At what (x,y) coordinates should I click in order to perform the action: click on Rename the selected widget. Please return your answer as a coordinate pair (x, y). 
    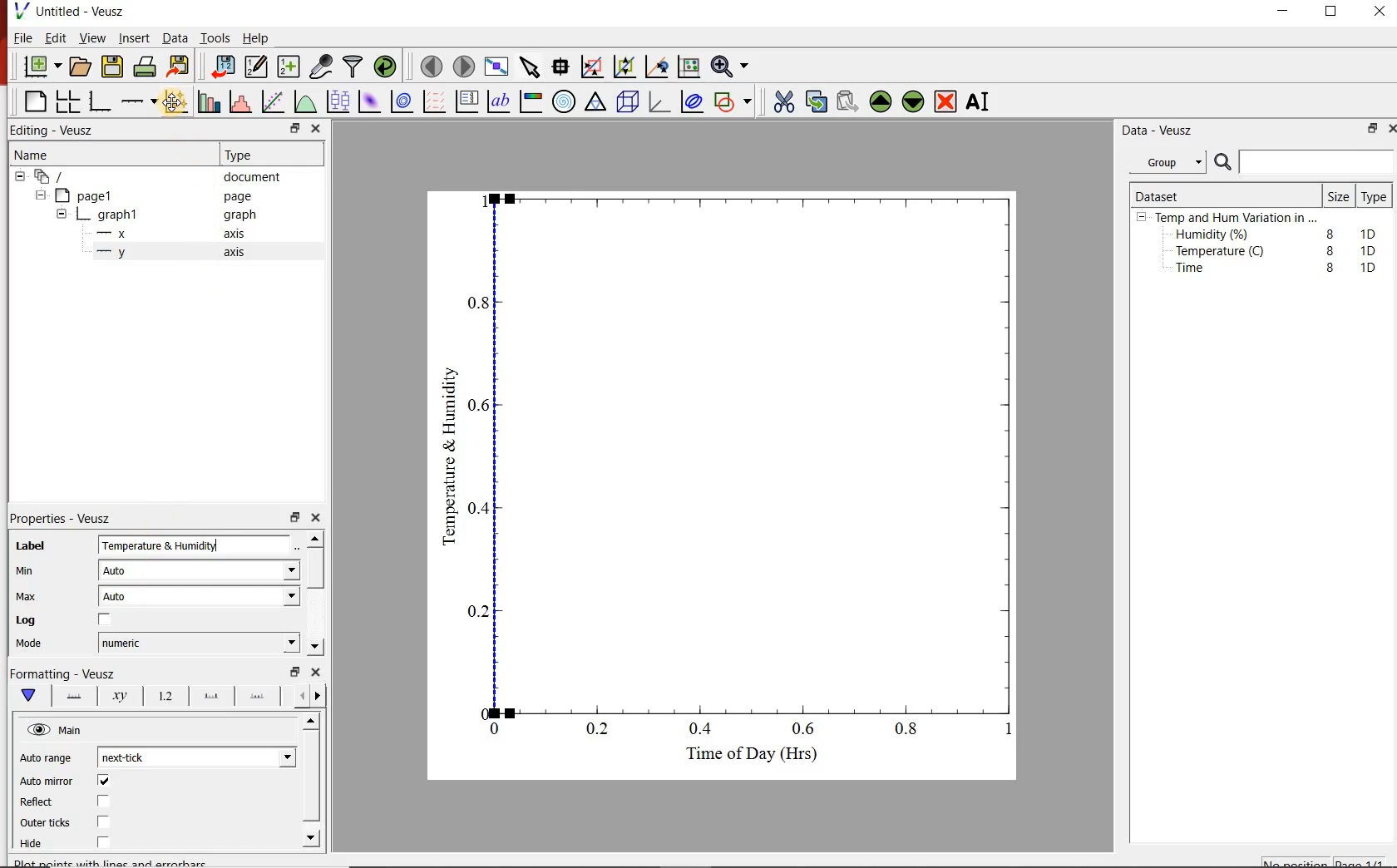
    Looking at the image, I should click on (981, 101).